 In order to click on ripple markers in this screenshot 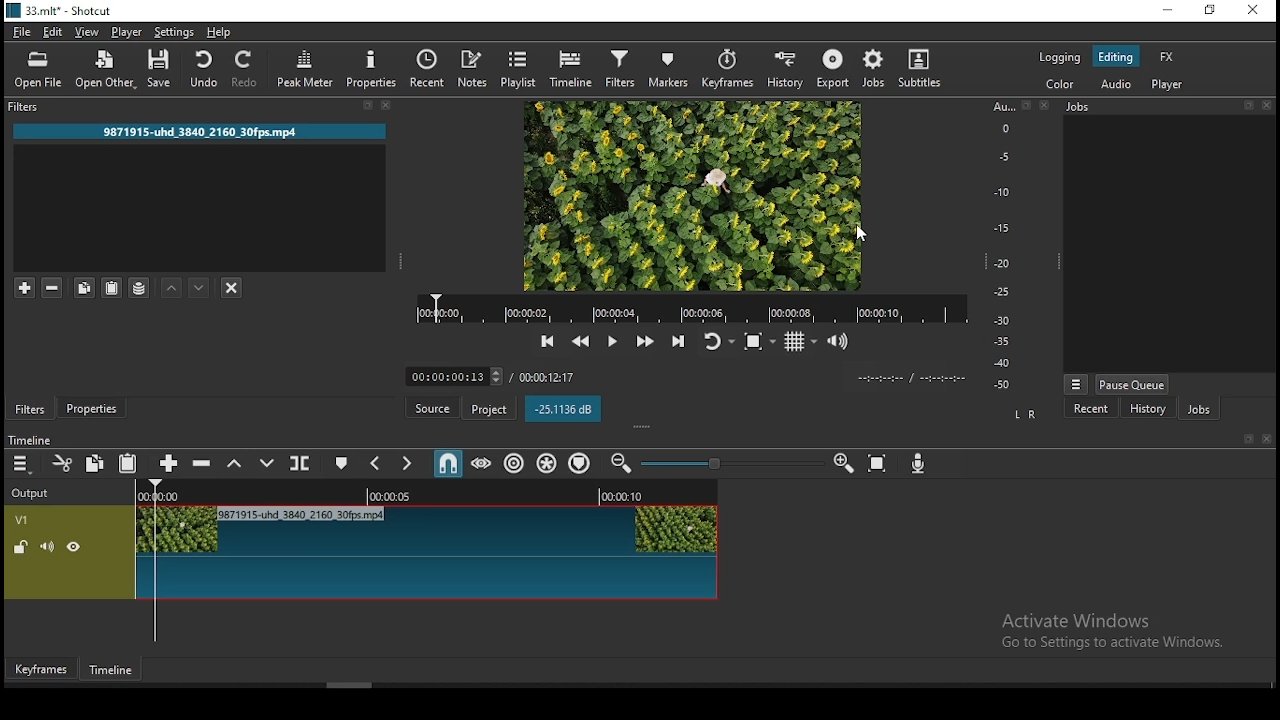, I will do `click(579, 464)`.